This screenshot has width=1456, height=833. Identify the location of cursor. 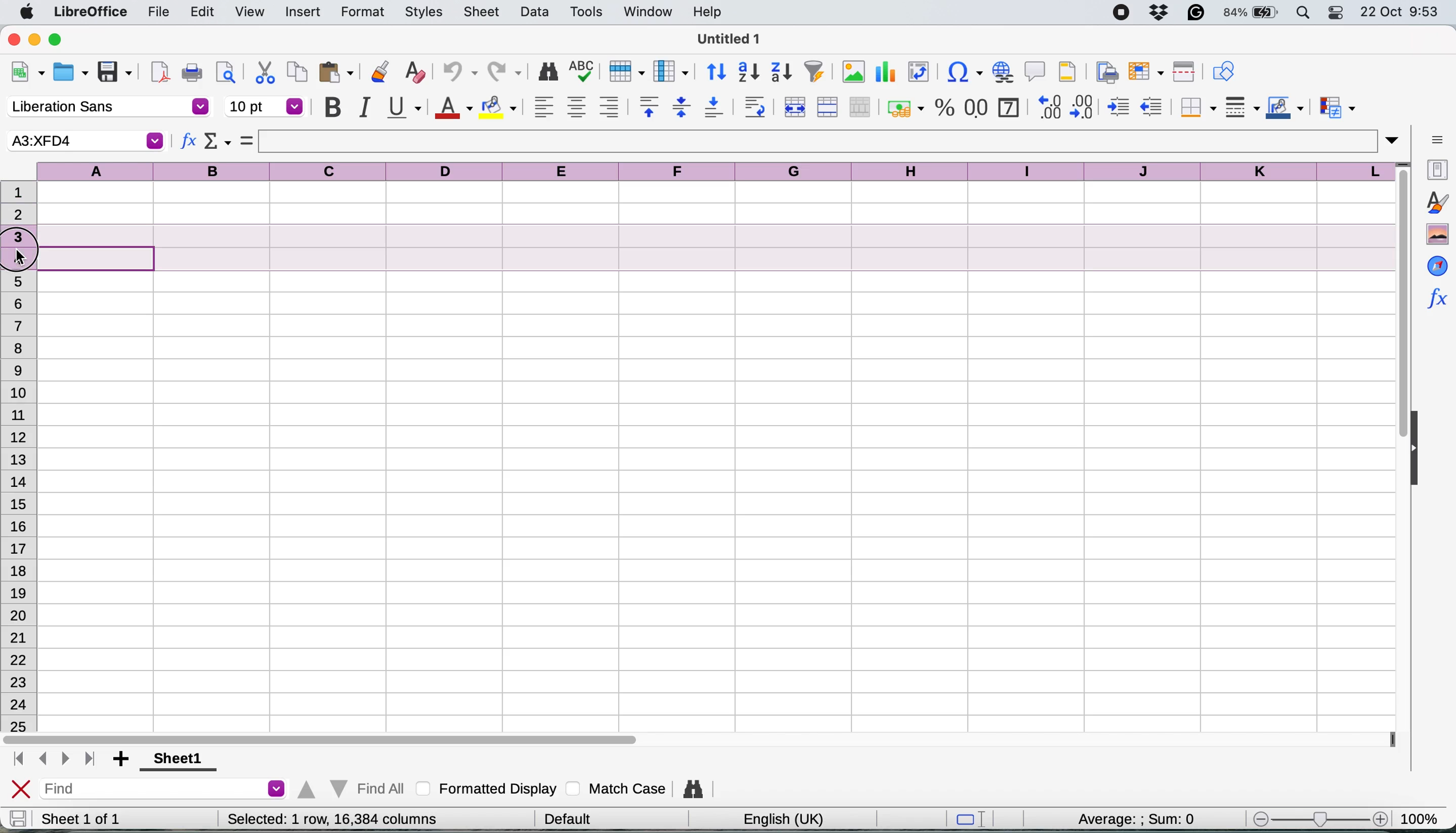
(22, 259).